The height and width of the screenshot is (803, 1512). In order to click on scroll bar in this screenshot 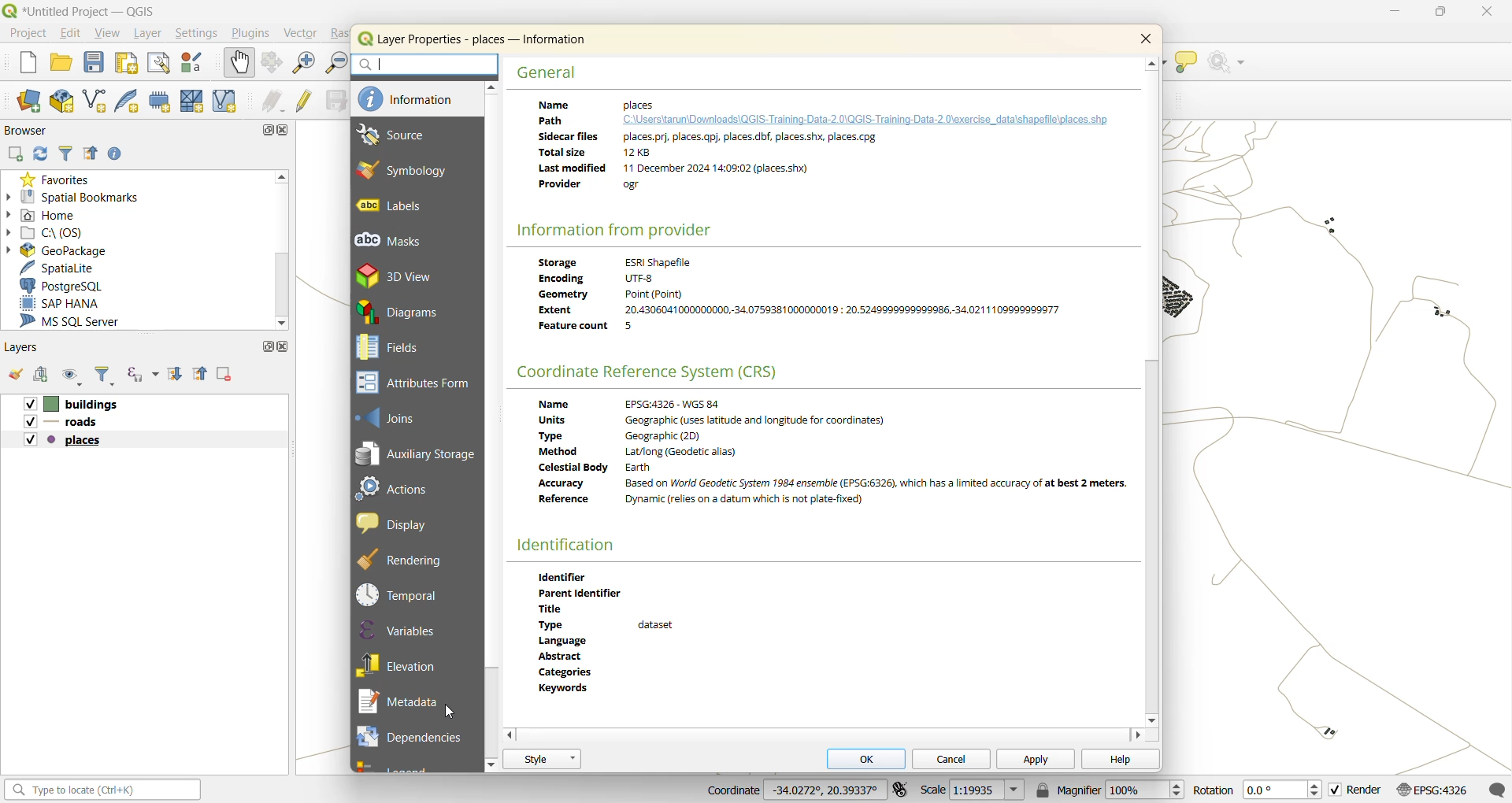, I will do `click(1153, 538)`.